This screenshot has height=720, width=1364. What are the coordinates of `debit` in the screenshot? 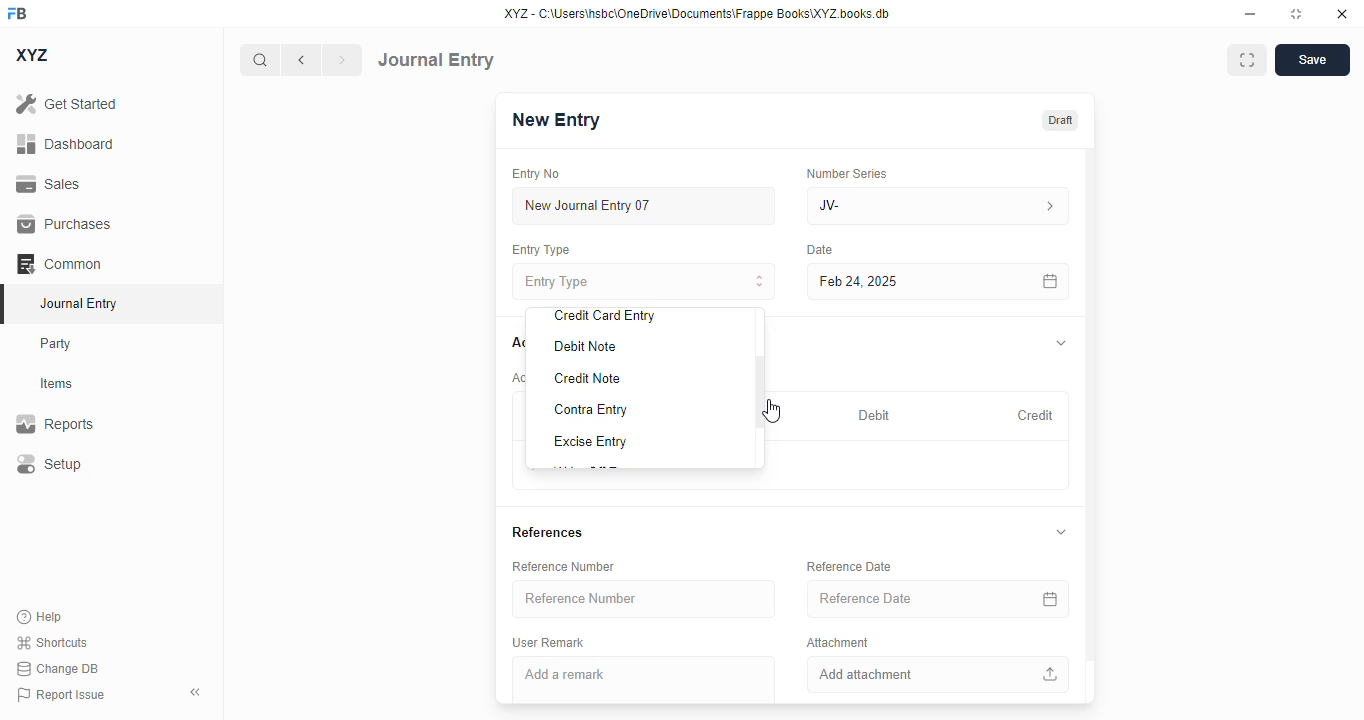 It's located at (875, 415).